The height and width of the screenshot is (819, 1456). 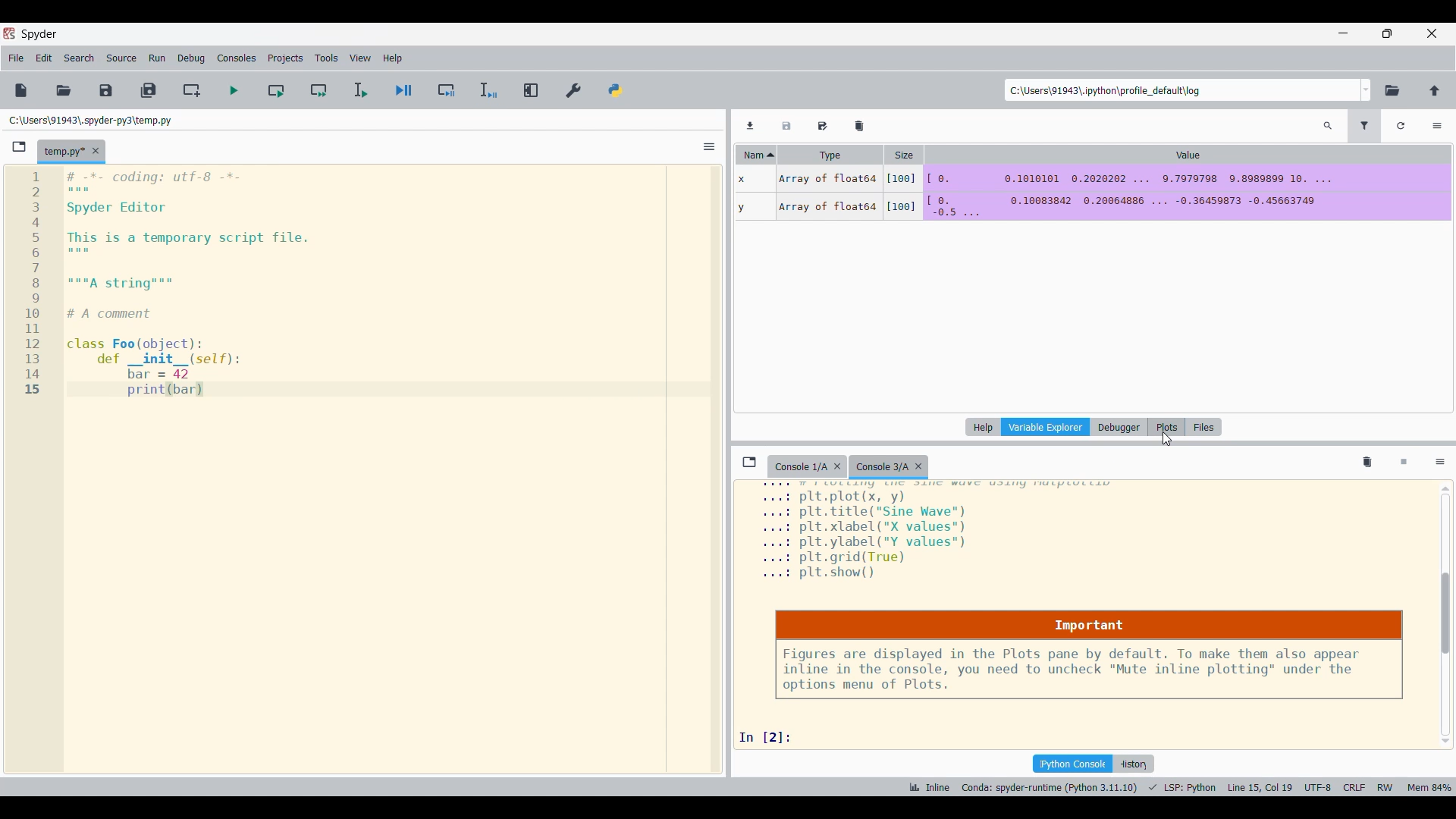 What do you see at coordinates (1441, 463) in the screenshot?
I see `Options` at bounding box center [1441, 463].